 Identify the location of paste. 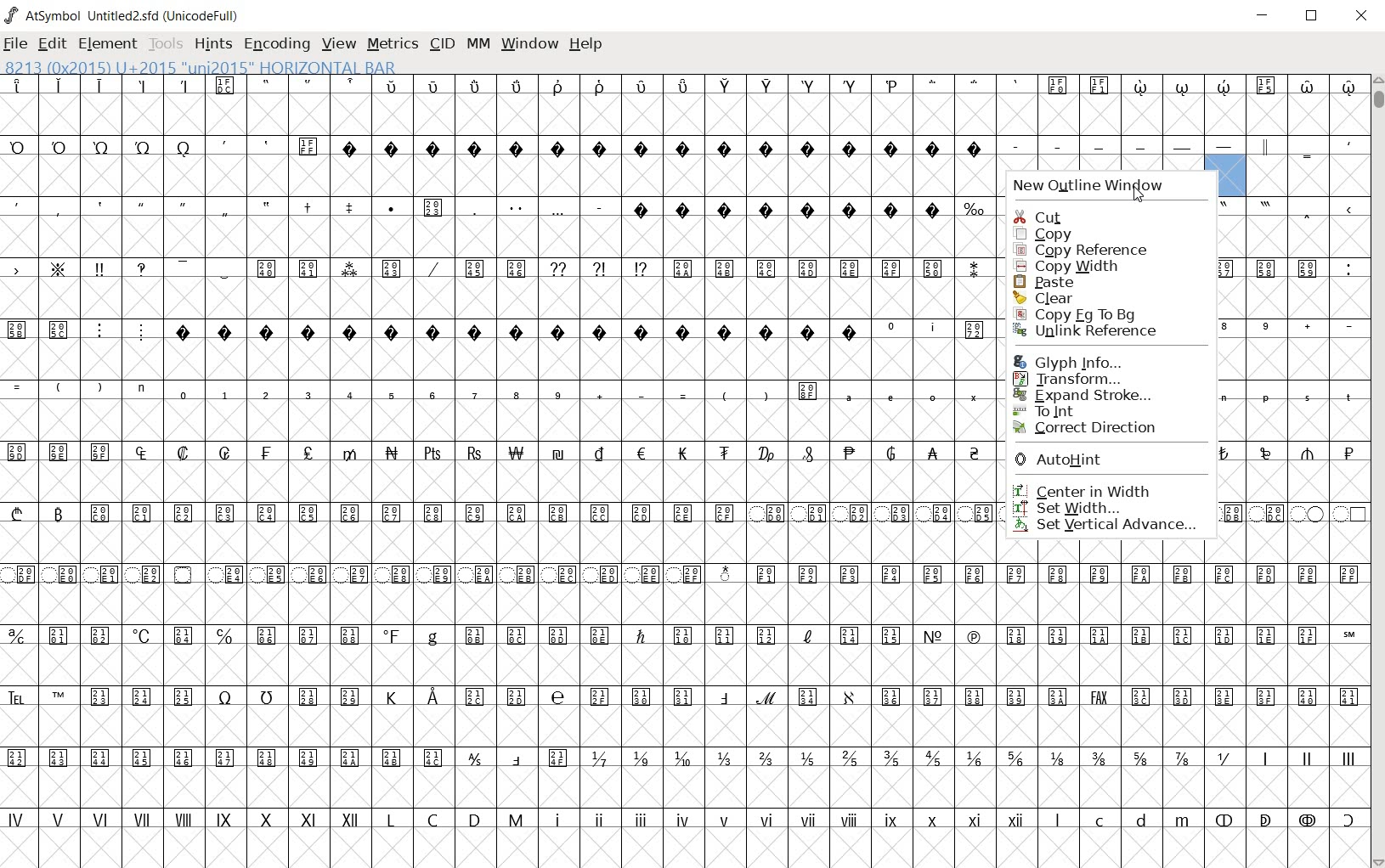
(1098, 283).